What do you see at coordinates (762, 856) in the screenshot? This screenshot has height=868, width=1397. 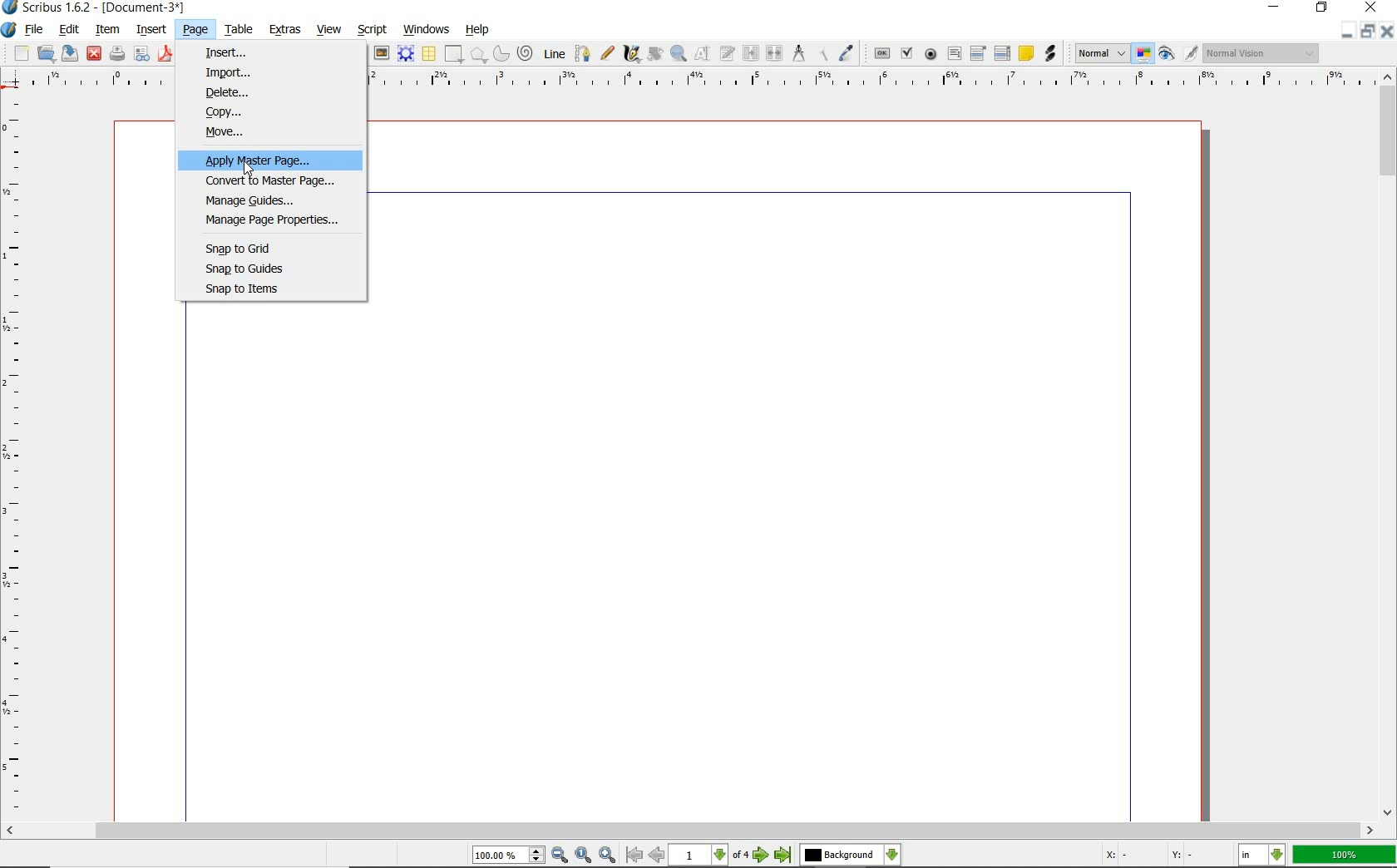 I see `Next Page` at bounding box center [762, 856].